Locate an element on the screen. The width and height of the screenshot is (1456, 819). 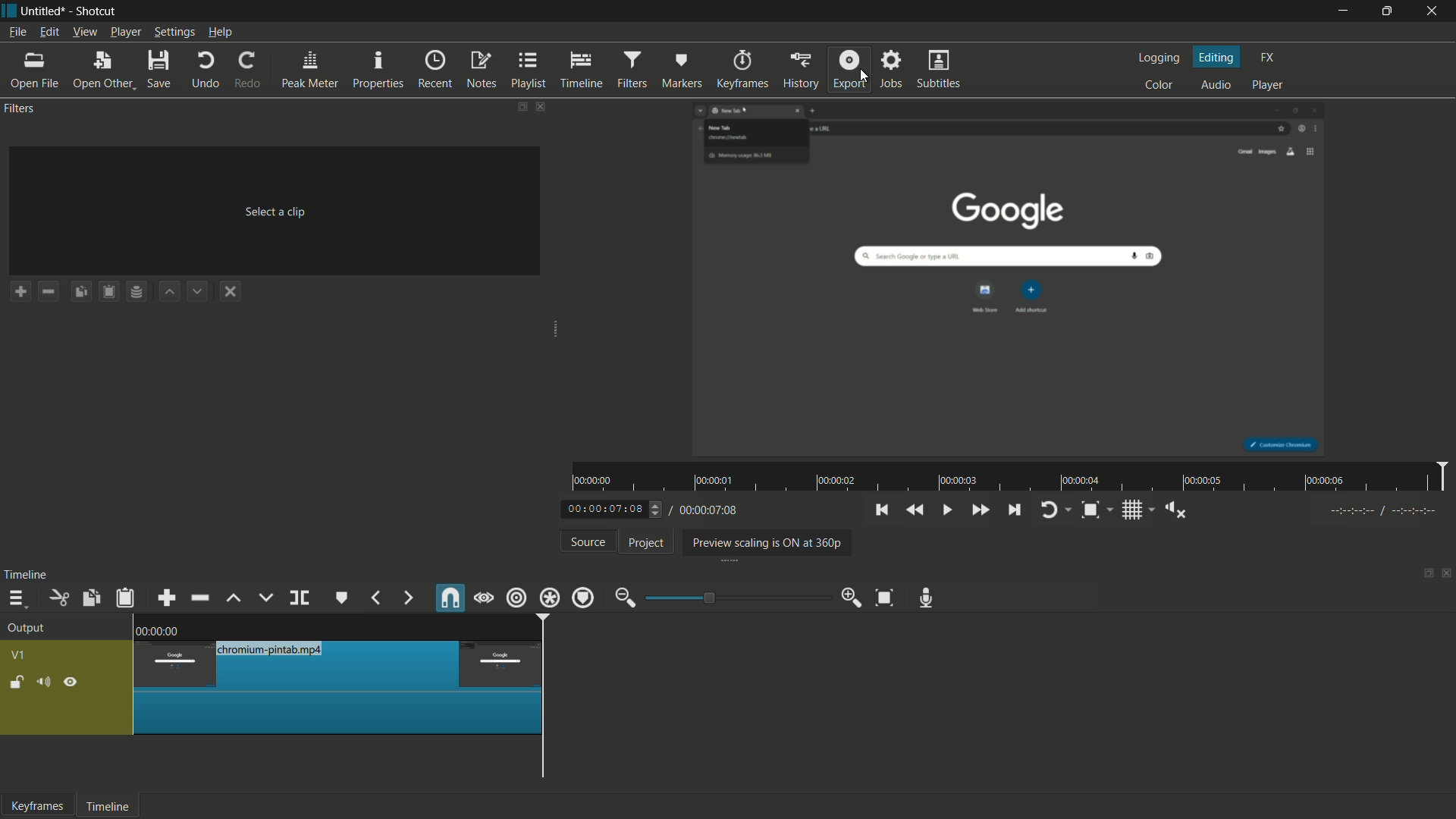
cursor is located at coordinates (863, 76).